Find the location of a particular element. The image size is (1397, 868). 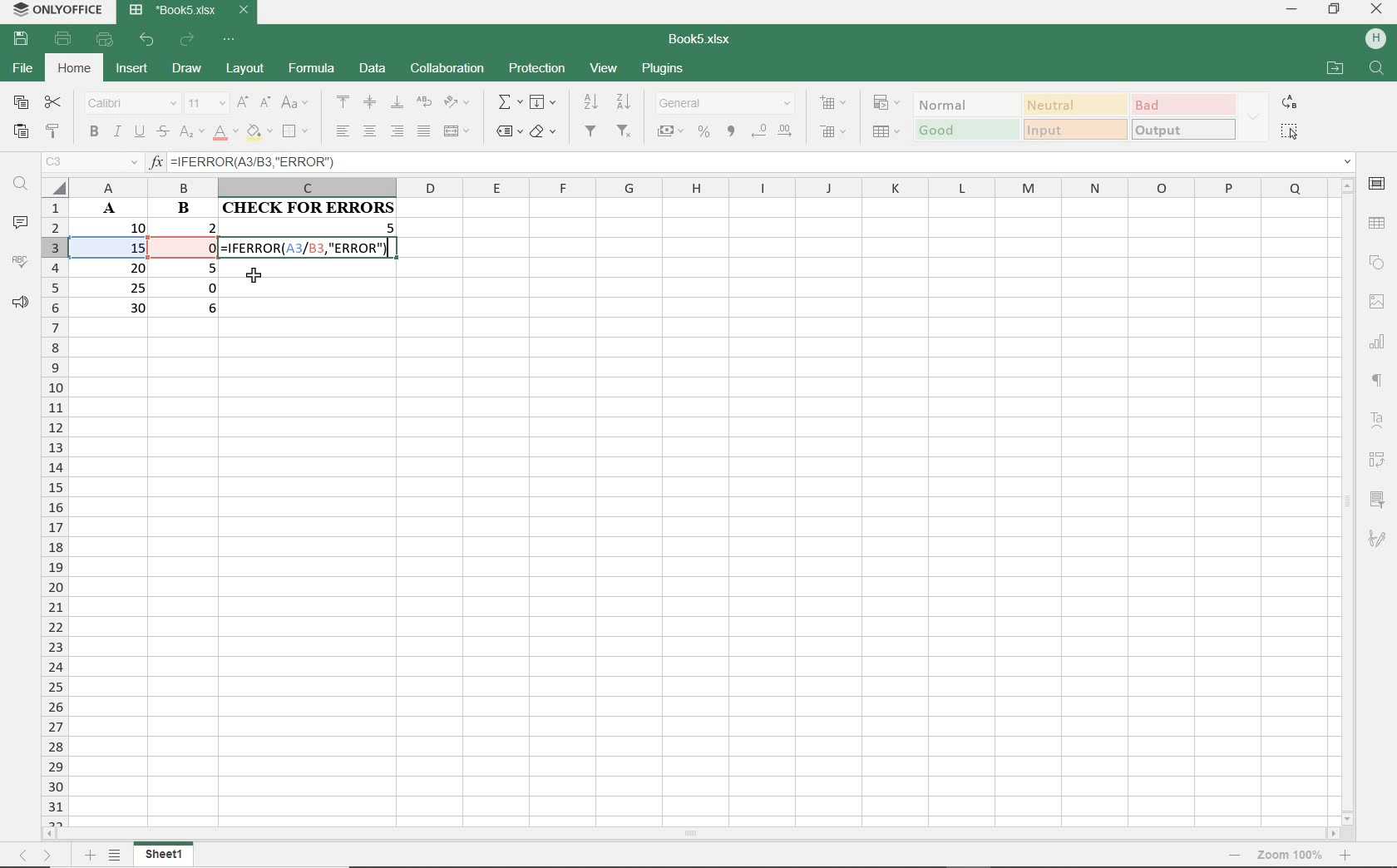

SHAPE is located at coordinates (1375, 261).